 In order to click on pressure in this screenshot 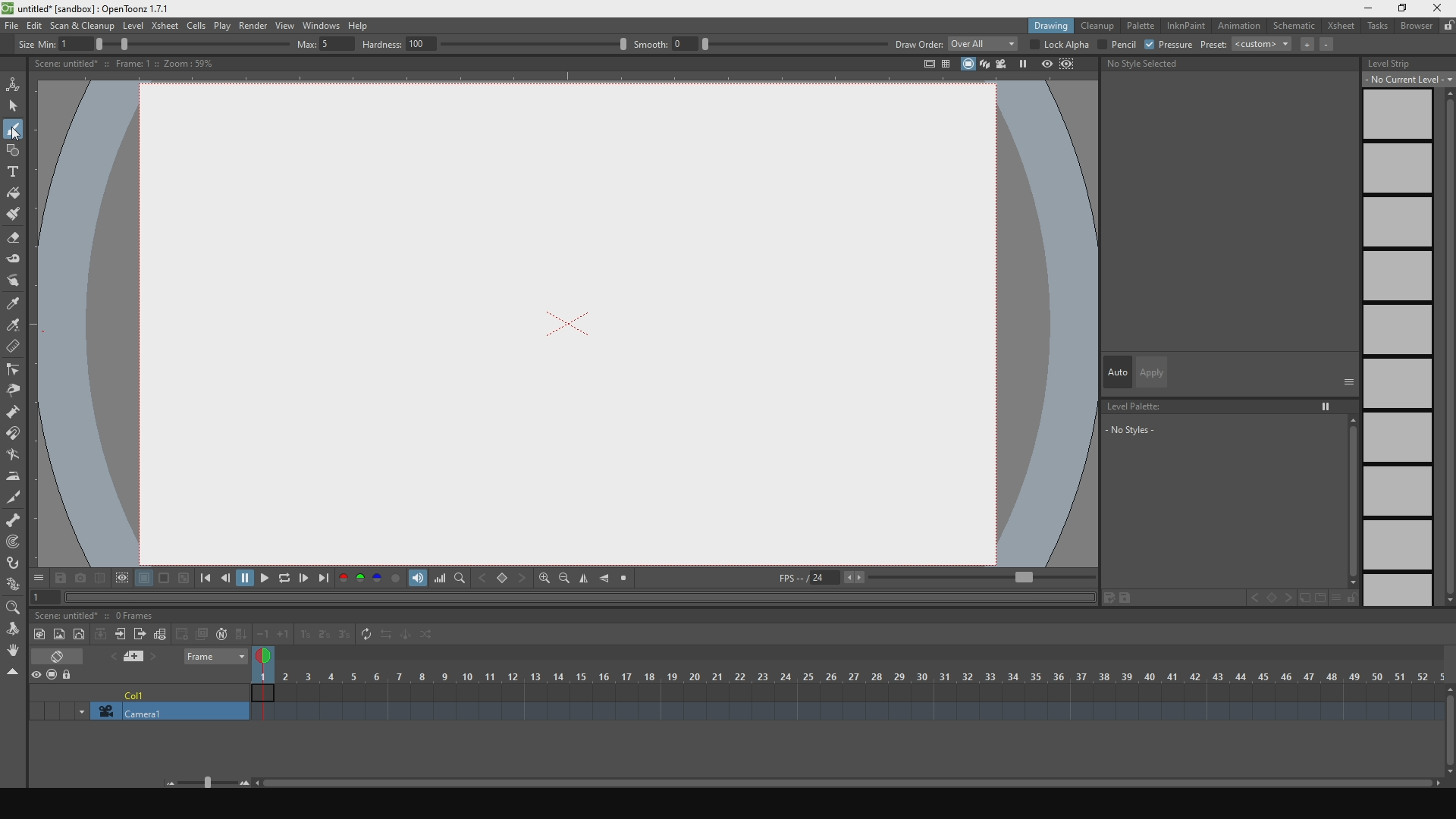, I will do `click(1170, 45)`.